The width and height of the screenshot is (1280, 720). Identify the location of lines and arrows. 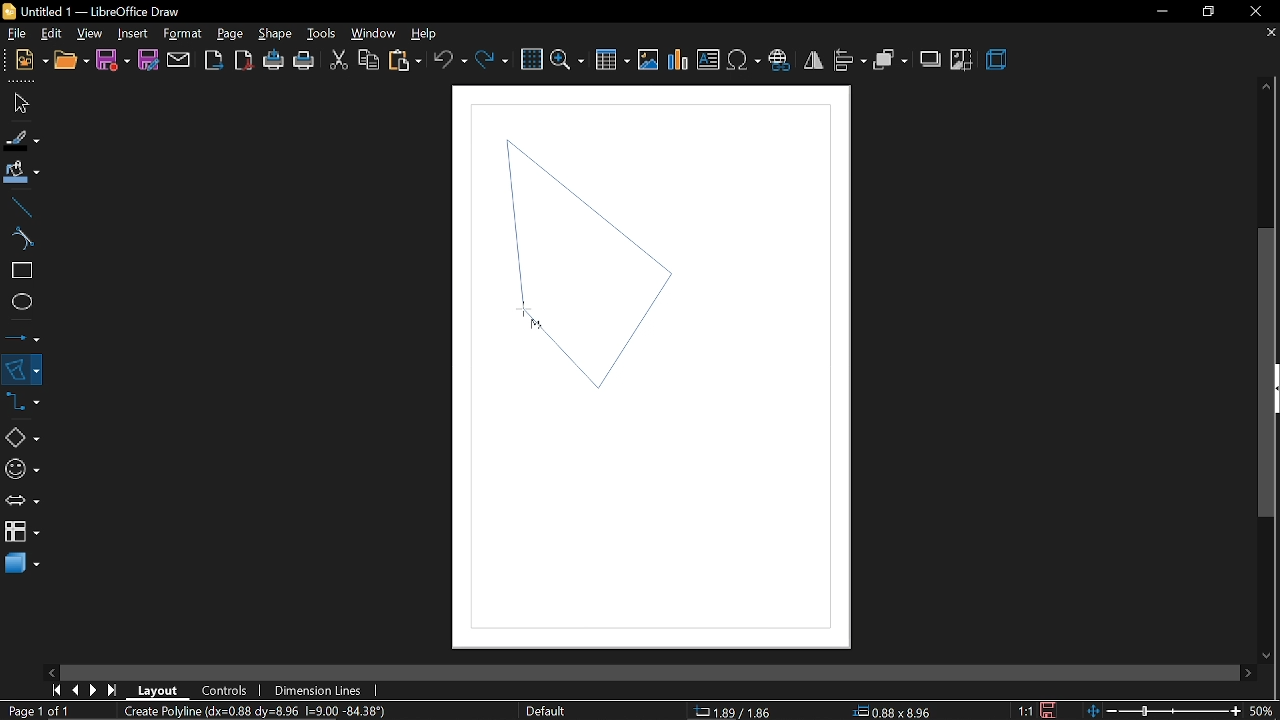
(23, 334).